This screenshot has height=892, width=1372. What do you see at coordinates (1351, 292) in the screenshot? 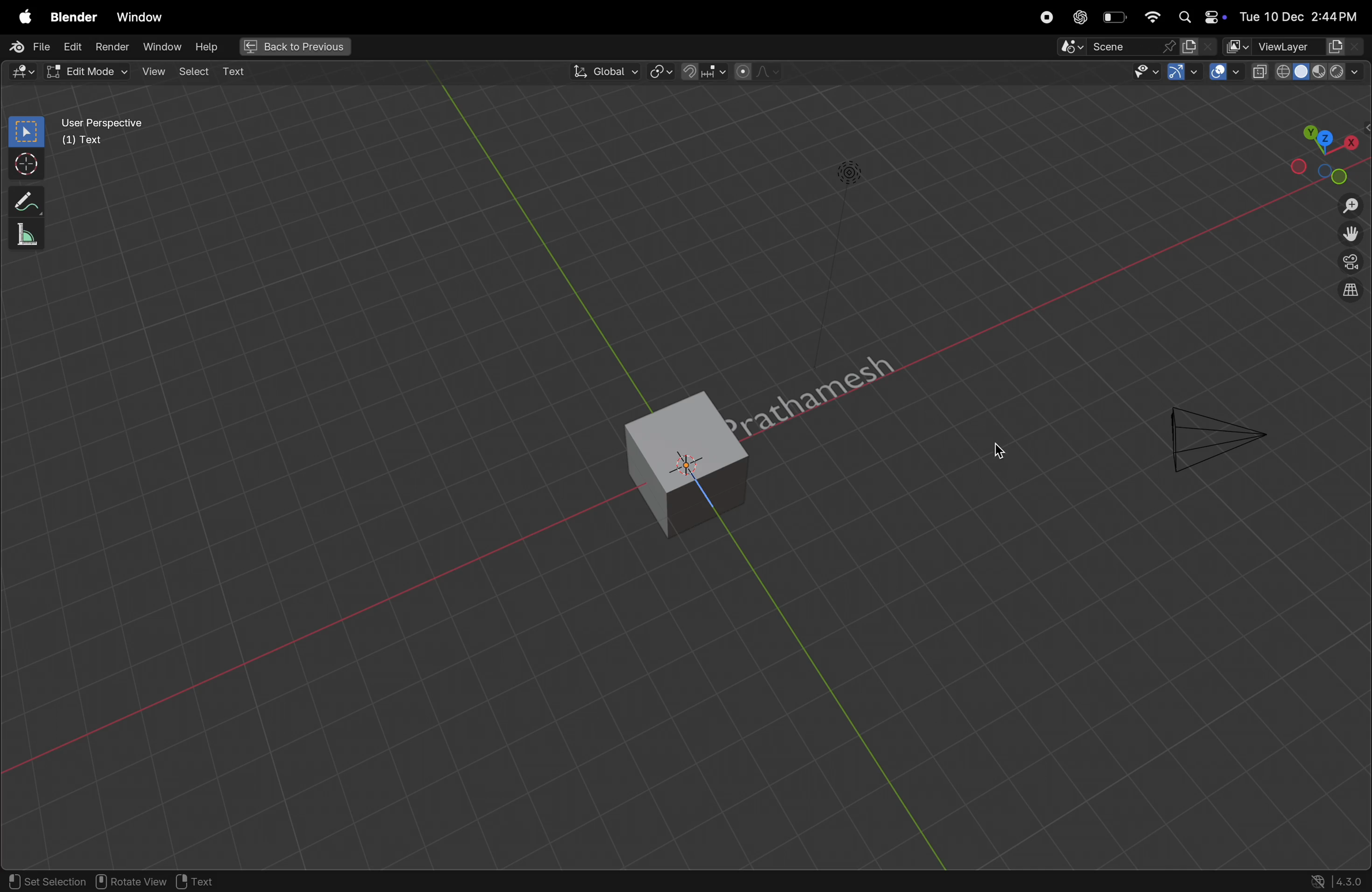
I see `orthographic view` at bounding box center [1351, 292].